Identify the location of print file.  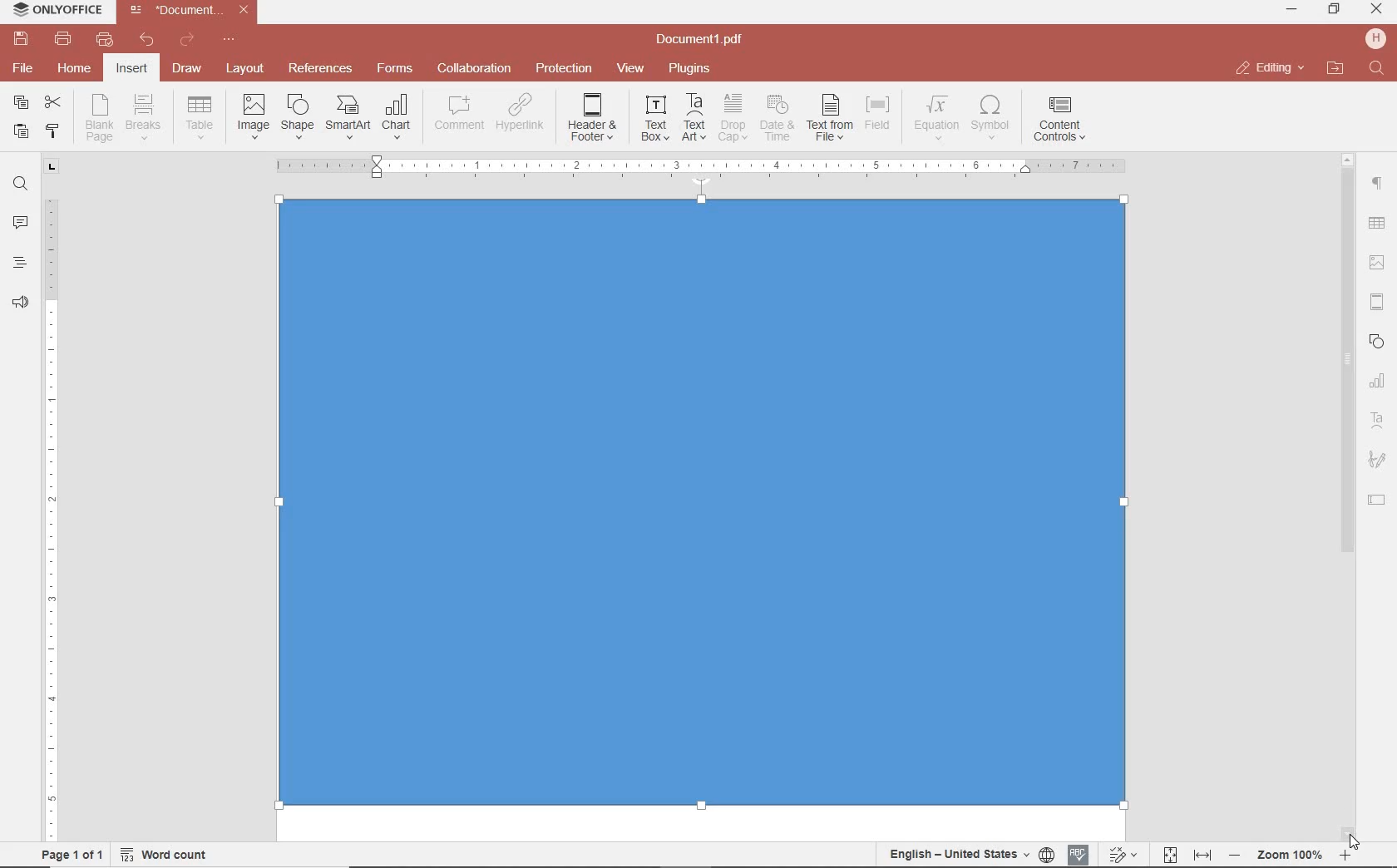
(63, 39).